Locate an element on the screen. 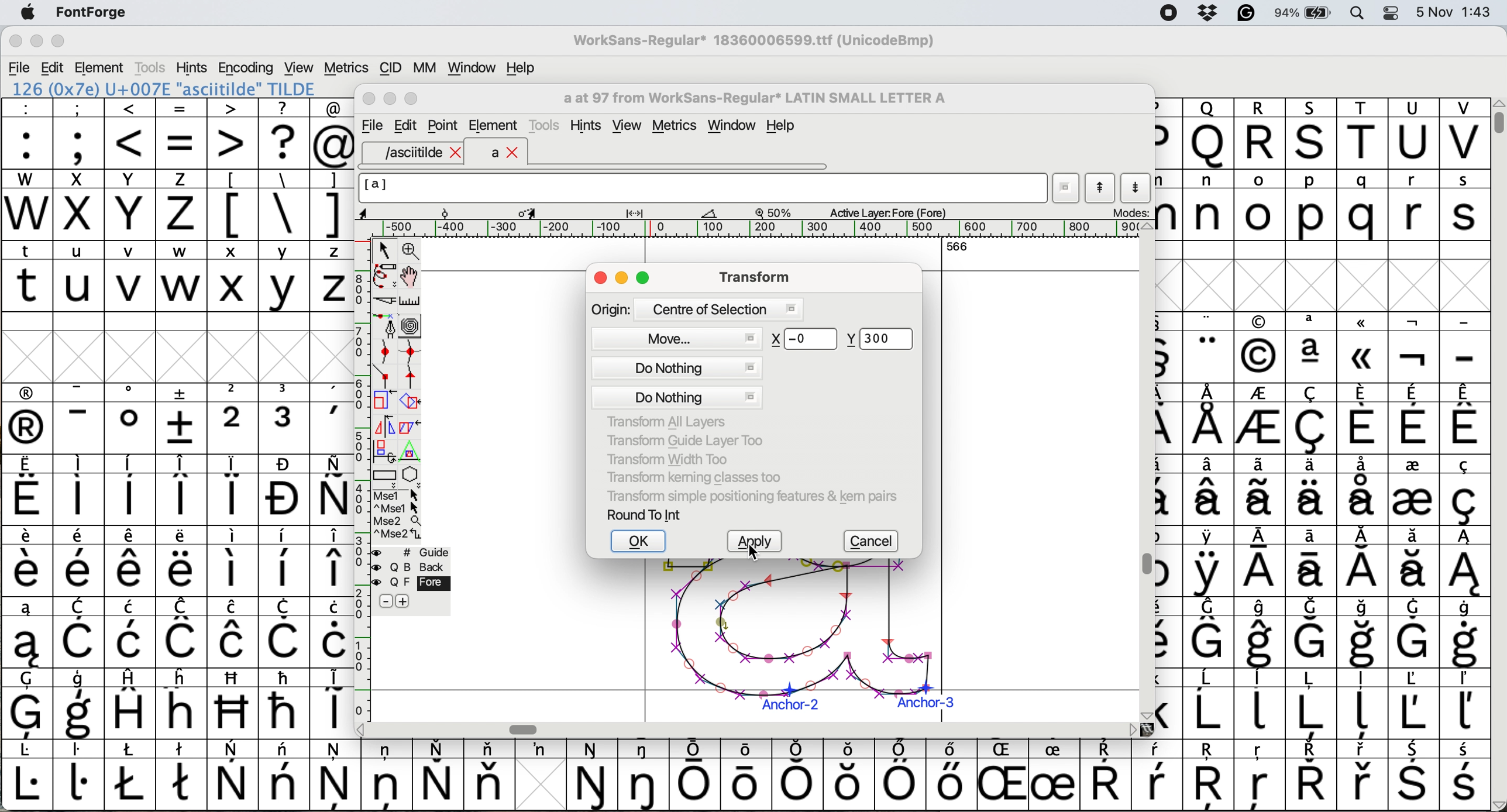 The height and width of the screenshot is (812, 1507). scroll by hand is located at coordinates (411, 277).